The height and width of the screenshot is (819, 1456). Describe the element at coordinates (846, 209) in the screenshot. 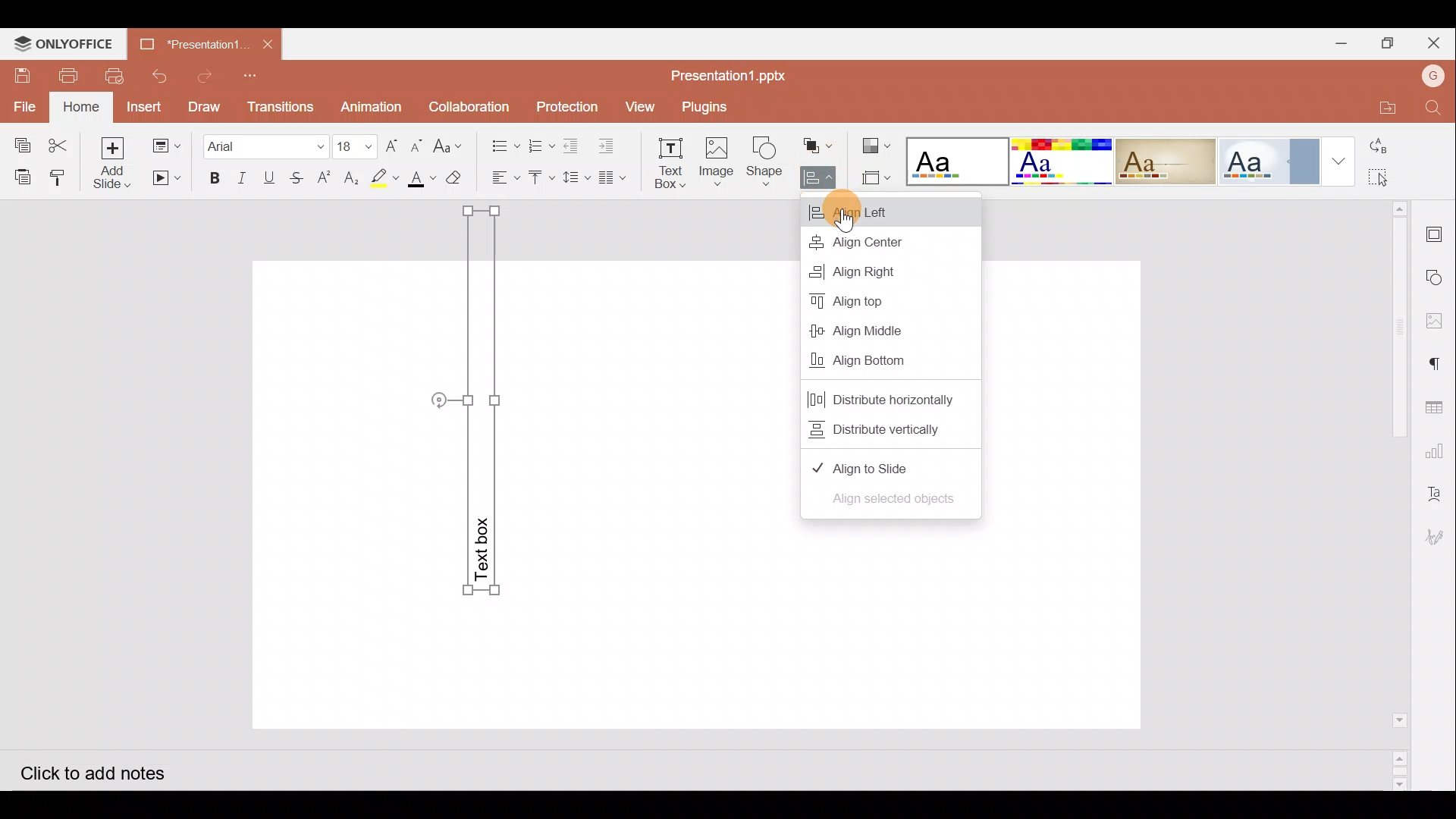

I see `Cursor on align left` at that location.